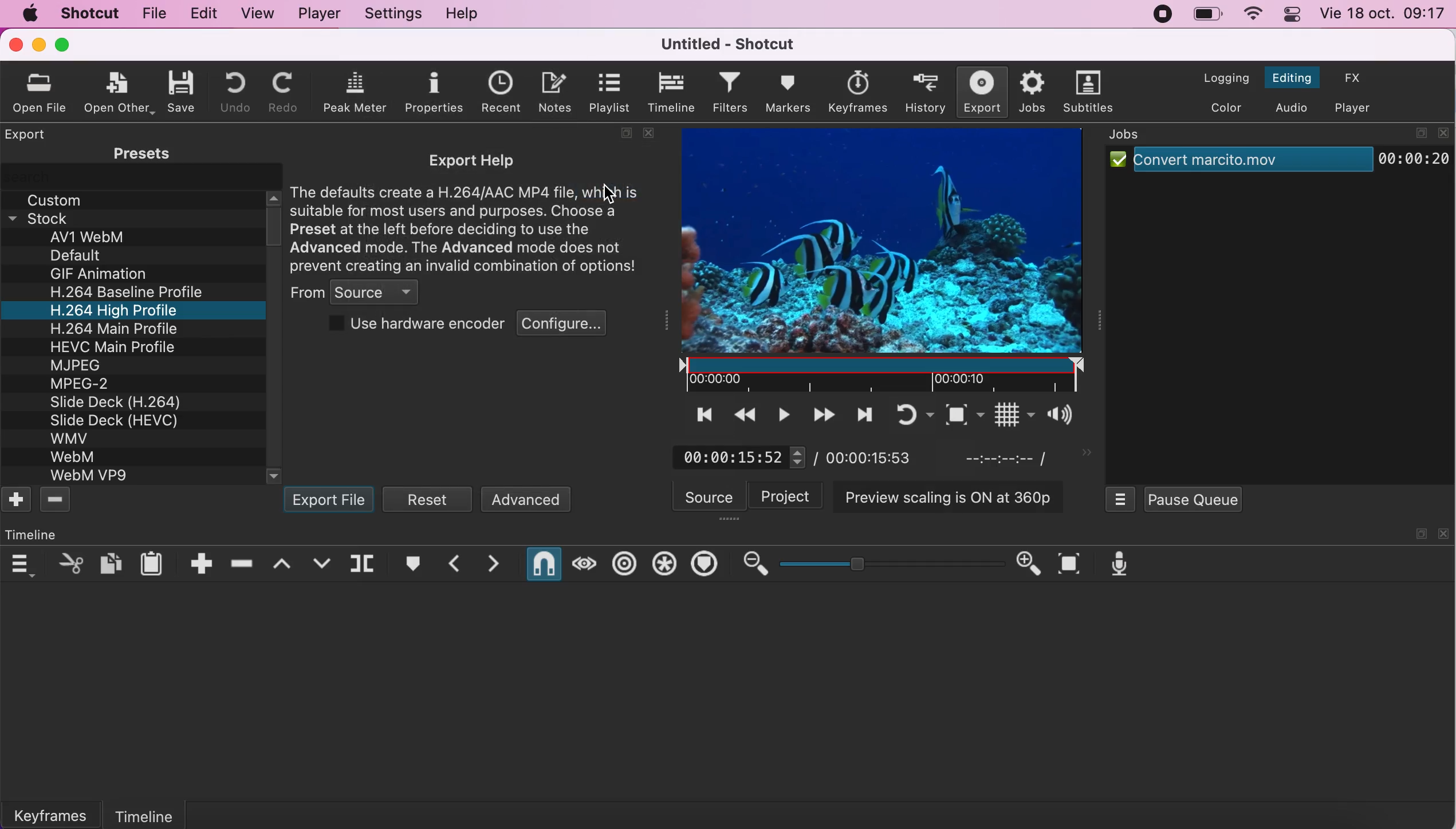 The image size is (1456, 829). Describe the element at coordinates (1385, 15) in the screenshot. I see `time and date` at that location.